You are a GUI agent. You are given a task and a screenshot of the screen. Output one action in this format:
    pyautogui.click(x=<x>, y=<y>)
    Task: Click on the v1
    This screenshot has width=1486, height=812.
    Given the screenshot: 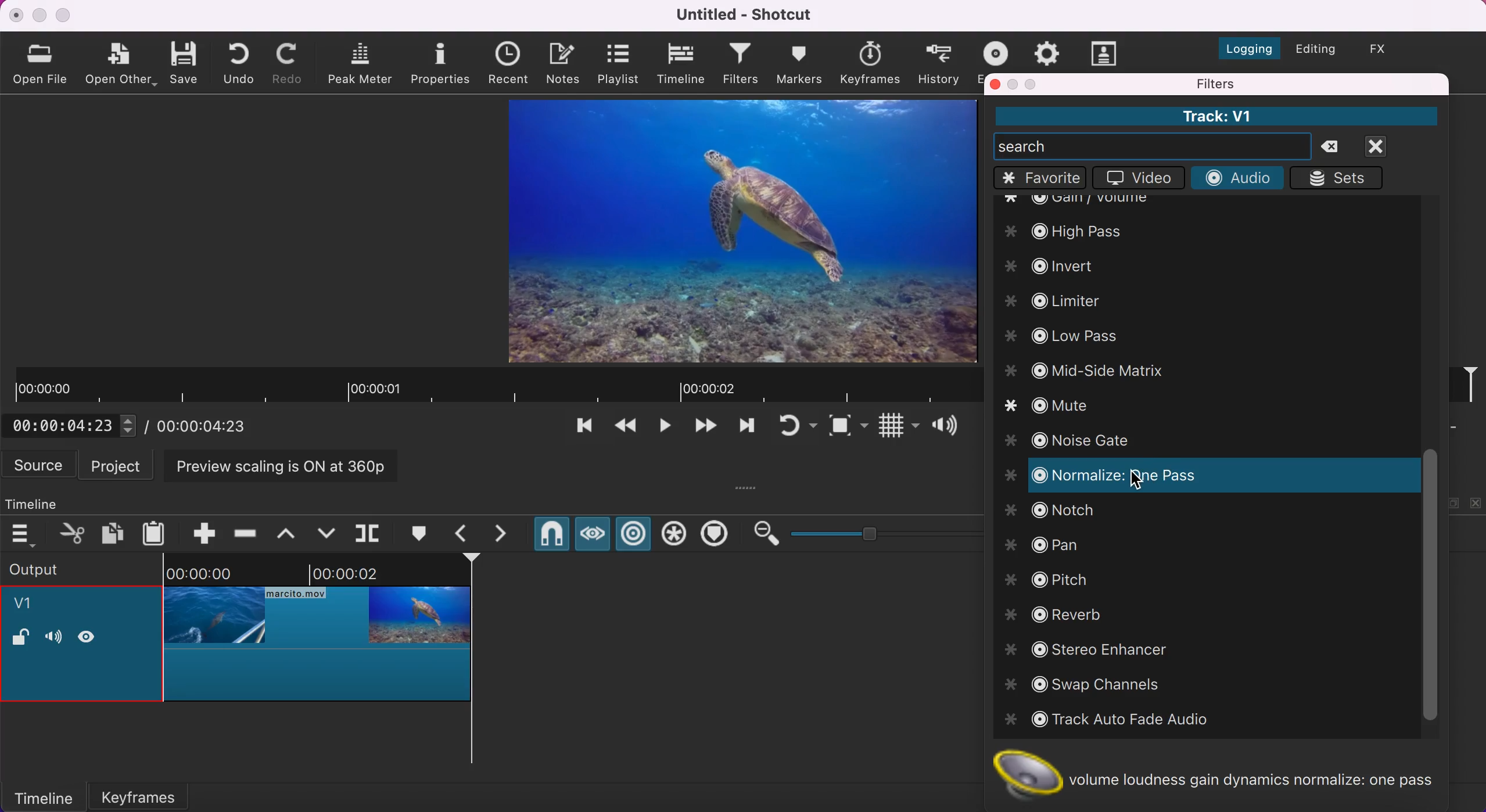 What is the action you would take?
    pyautogui.click(x=30, y=605)
    